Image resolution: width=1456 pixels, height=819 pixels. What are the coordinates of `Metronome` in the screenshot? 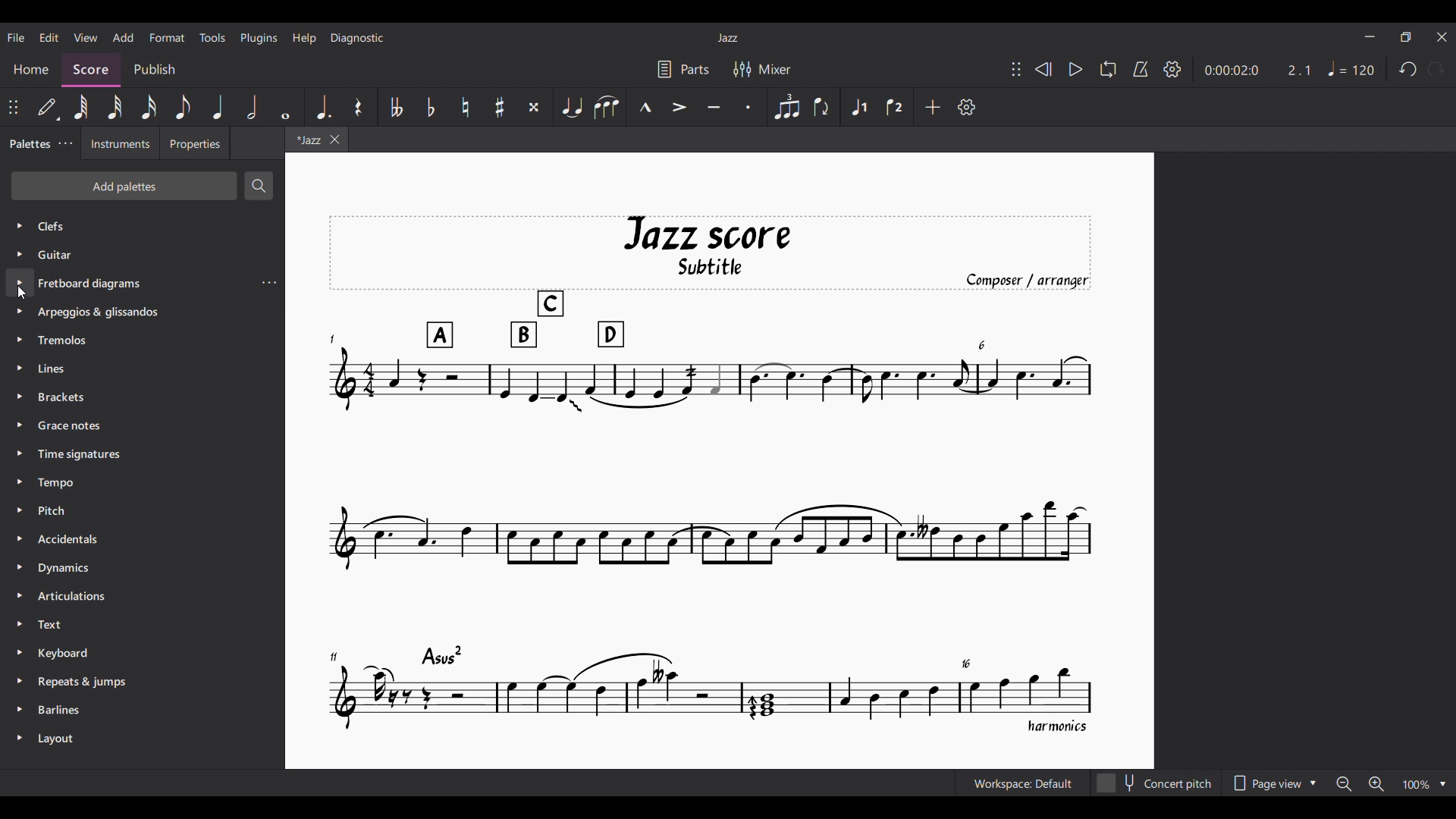 It's located at (1141, 70).